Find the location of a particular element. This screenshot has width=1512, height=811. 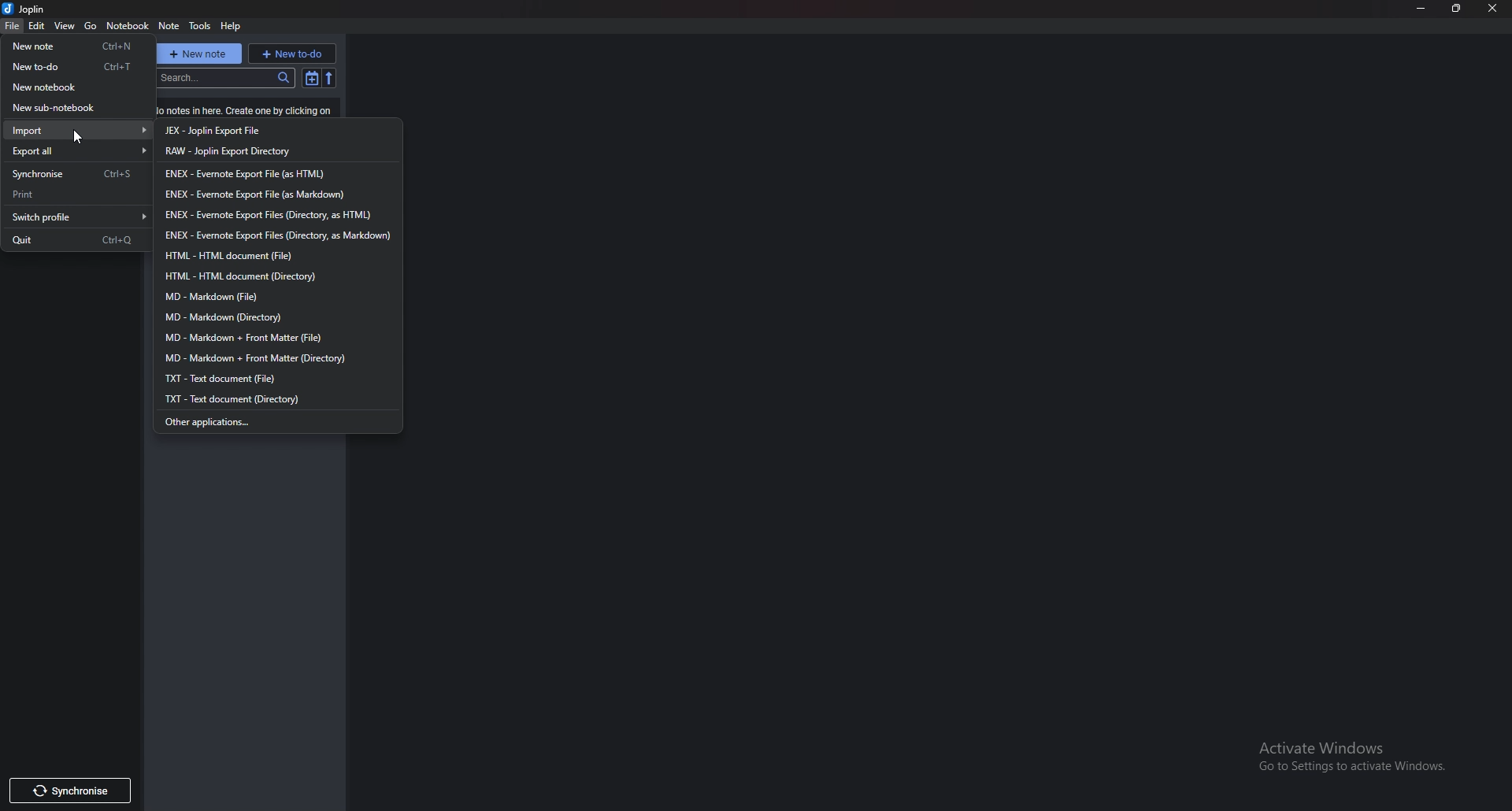

joplin is located at coordinates (28, 9).